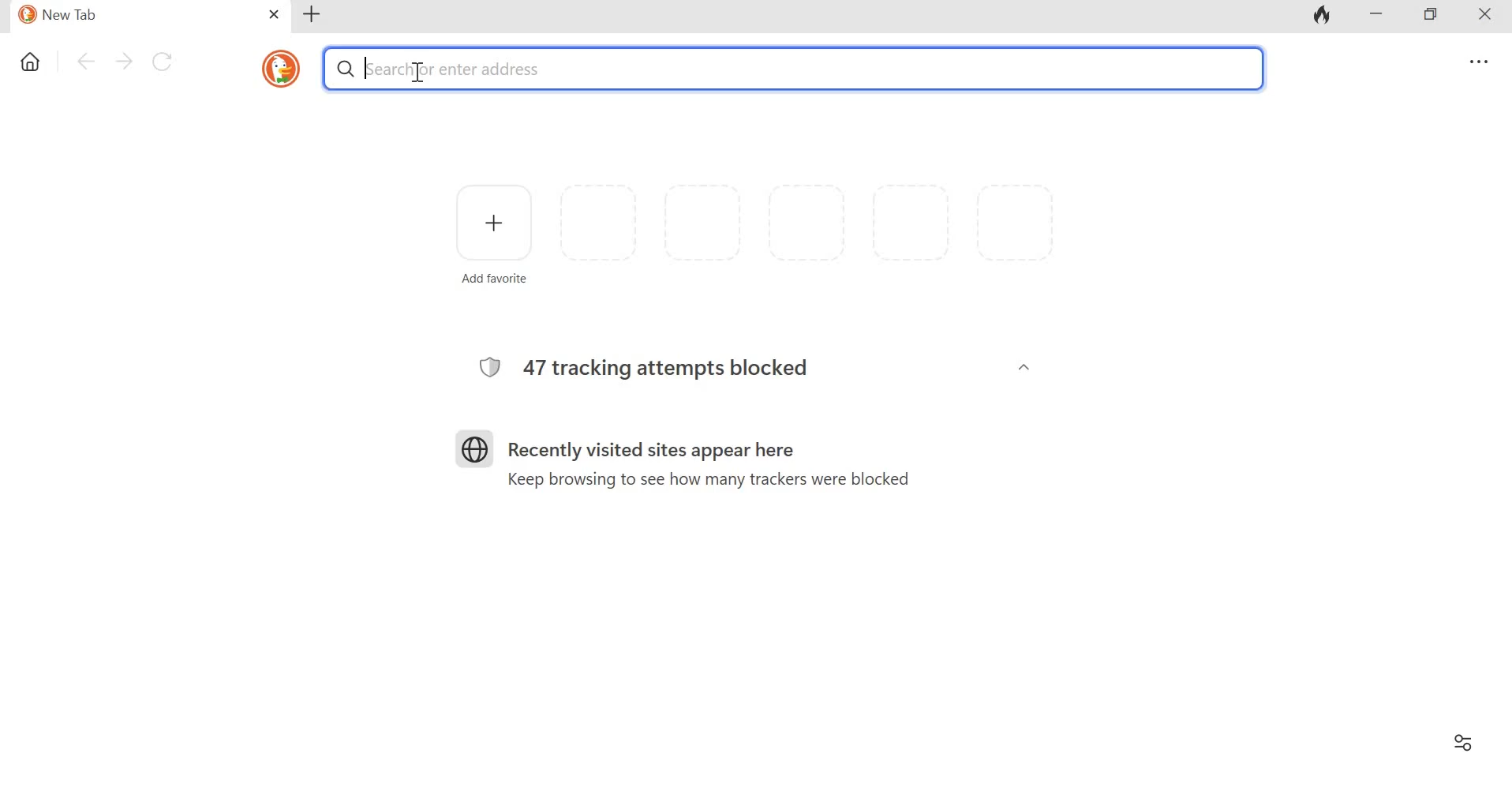 The width and height of the screenshot is (1512, 791). I want to click on Filter settings, so click(1461, 740).